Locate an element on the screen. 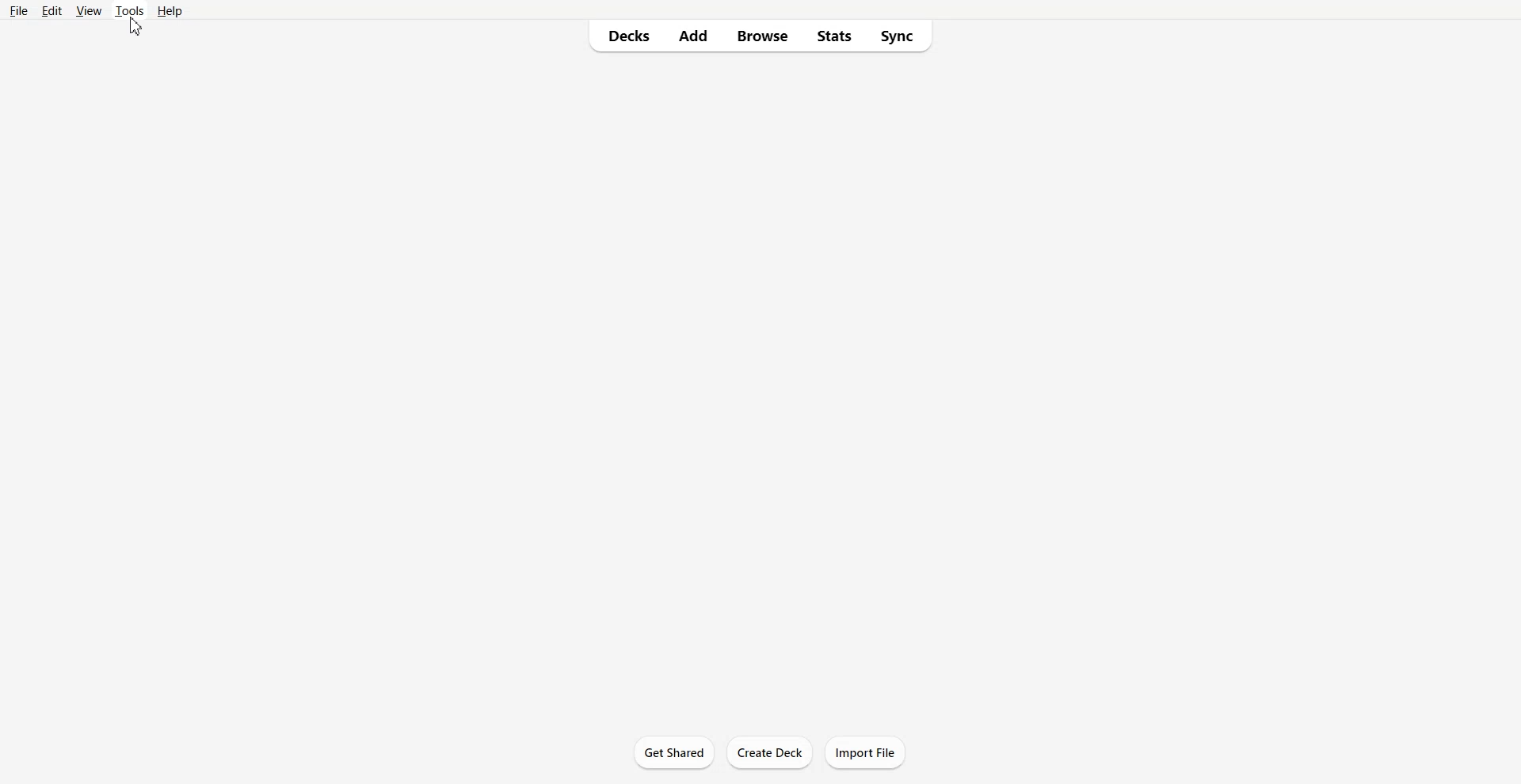  Get Started is located at coordinates (675, 752).